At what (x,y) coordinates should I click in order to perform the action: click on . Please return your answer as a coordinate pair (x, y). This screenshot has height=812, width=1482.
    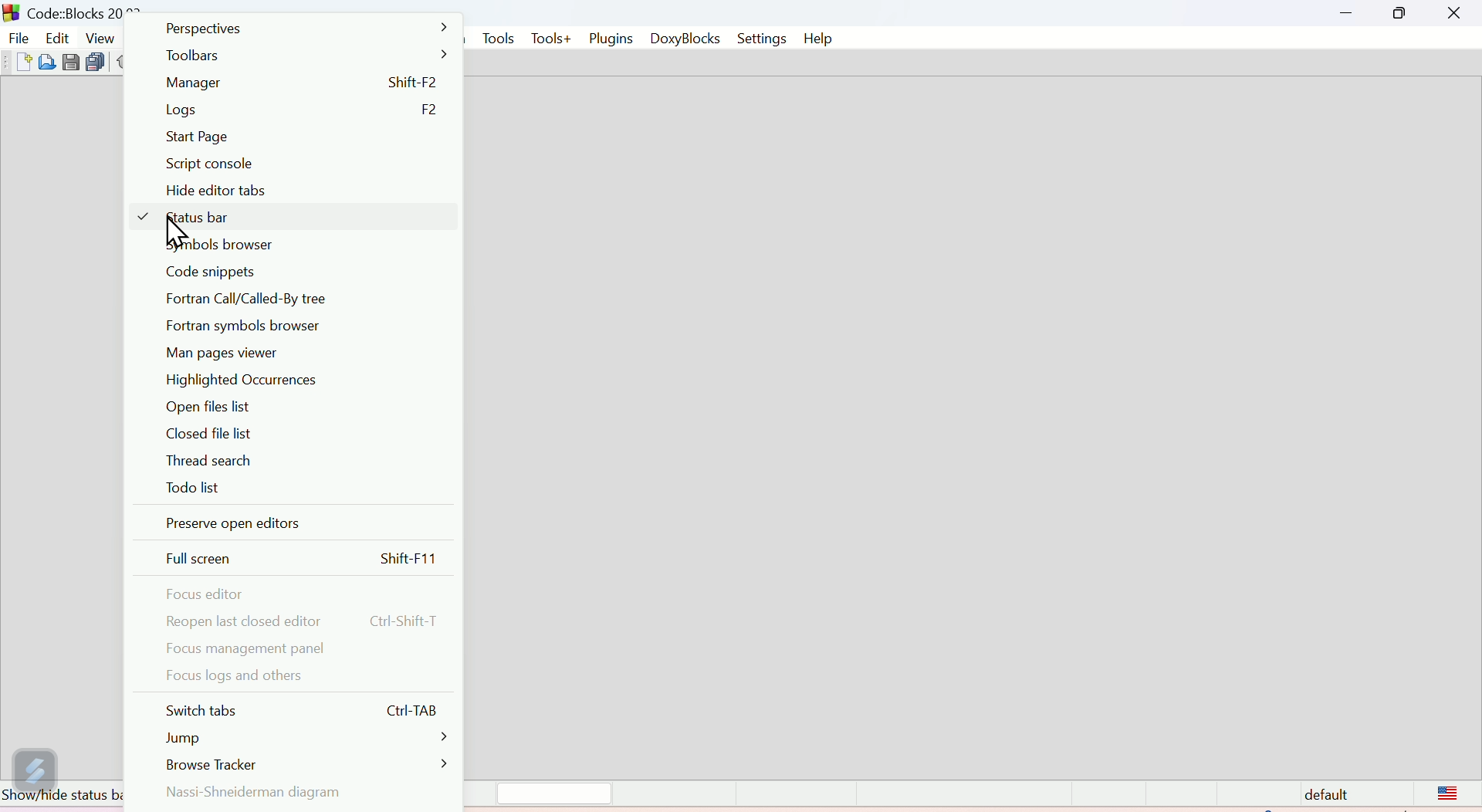
    Looking at the image, I should click on (21, 63).